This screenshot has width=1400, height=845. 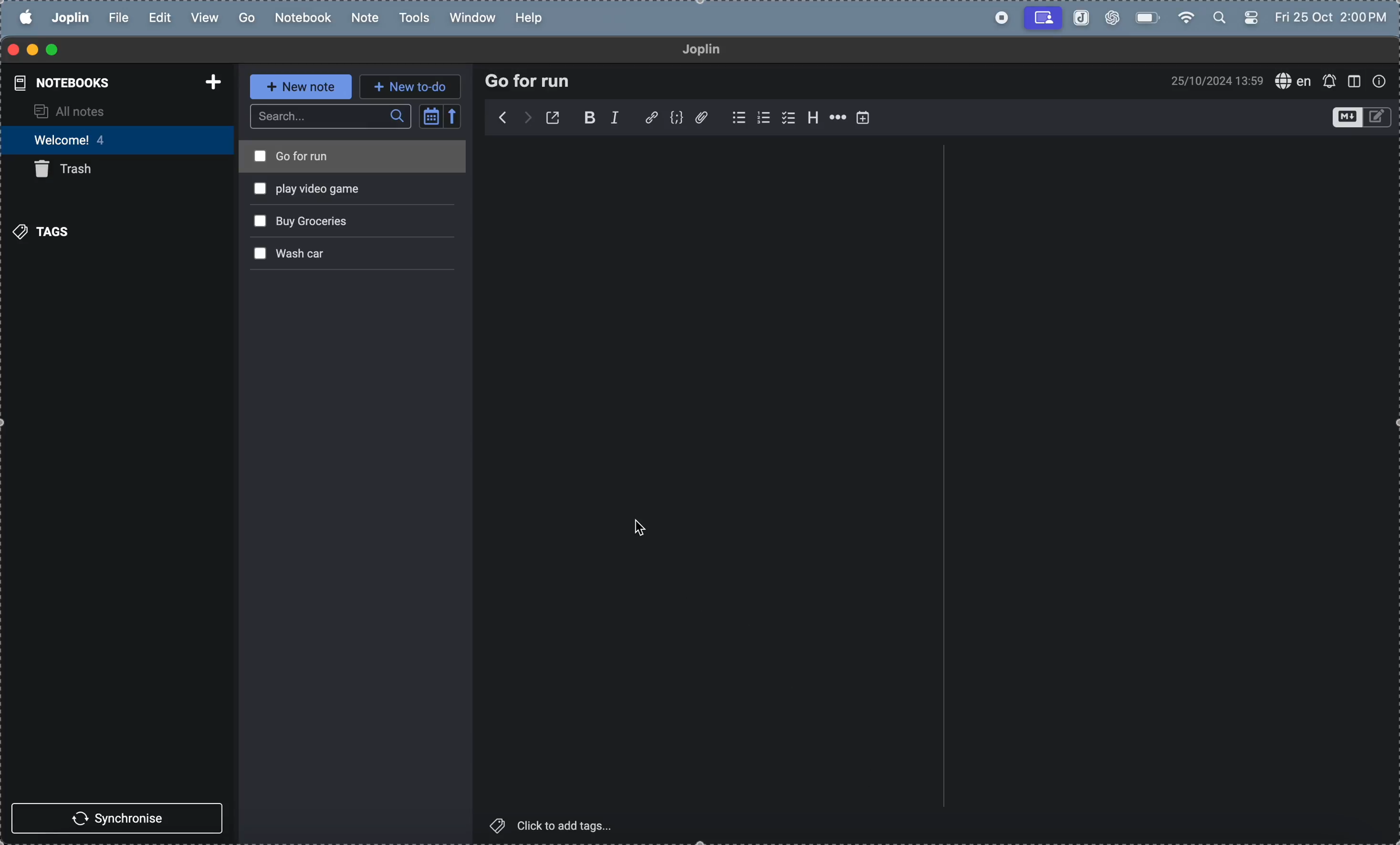 What do you see at coordinates (528, 81) in the screenshot?
I see `research` at bounding box center [528, 81].